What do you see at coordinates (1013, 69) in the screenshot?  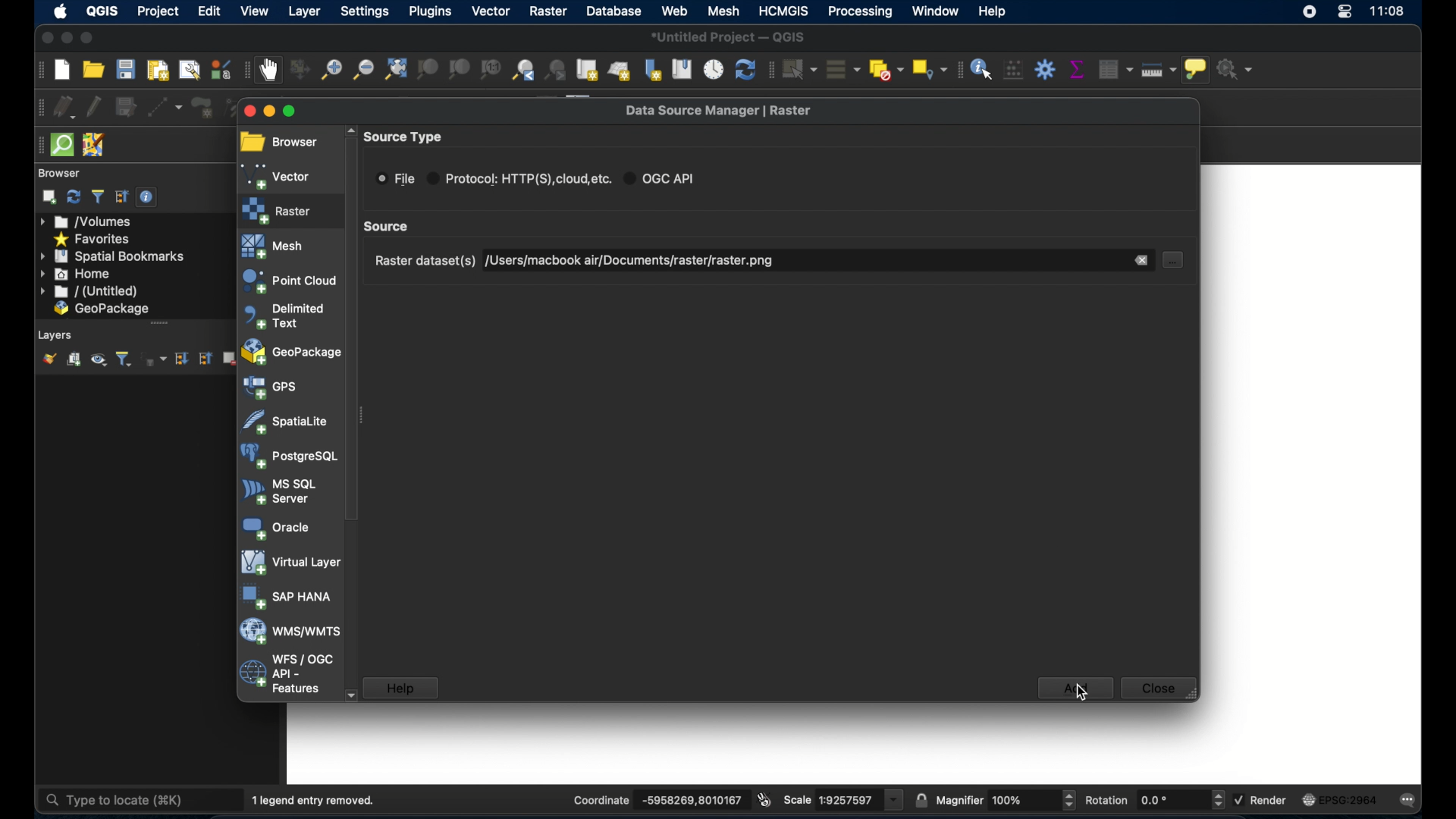 I see `open field calculator` at bounding box center [1013, 69].